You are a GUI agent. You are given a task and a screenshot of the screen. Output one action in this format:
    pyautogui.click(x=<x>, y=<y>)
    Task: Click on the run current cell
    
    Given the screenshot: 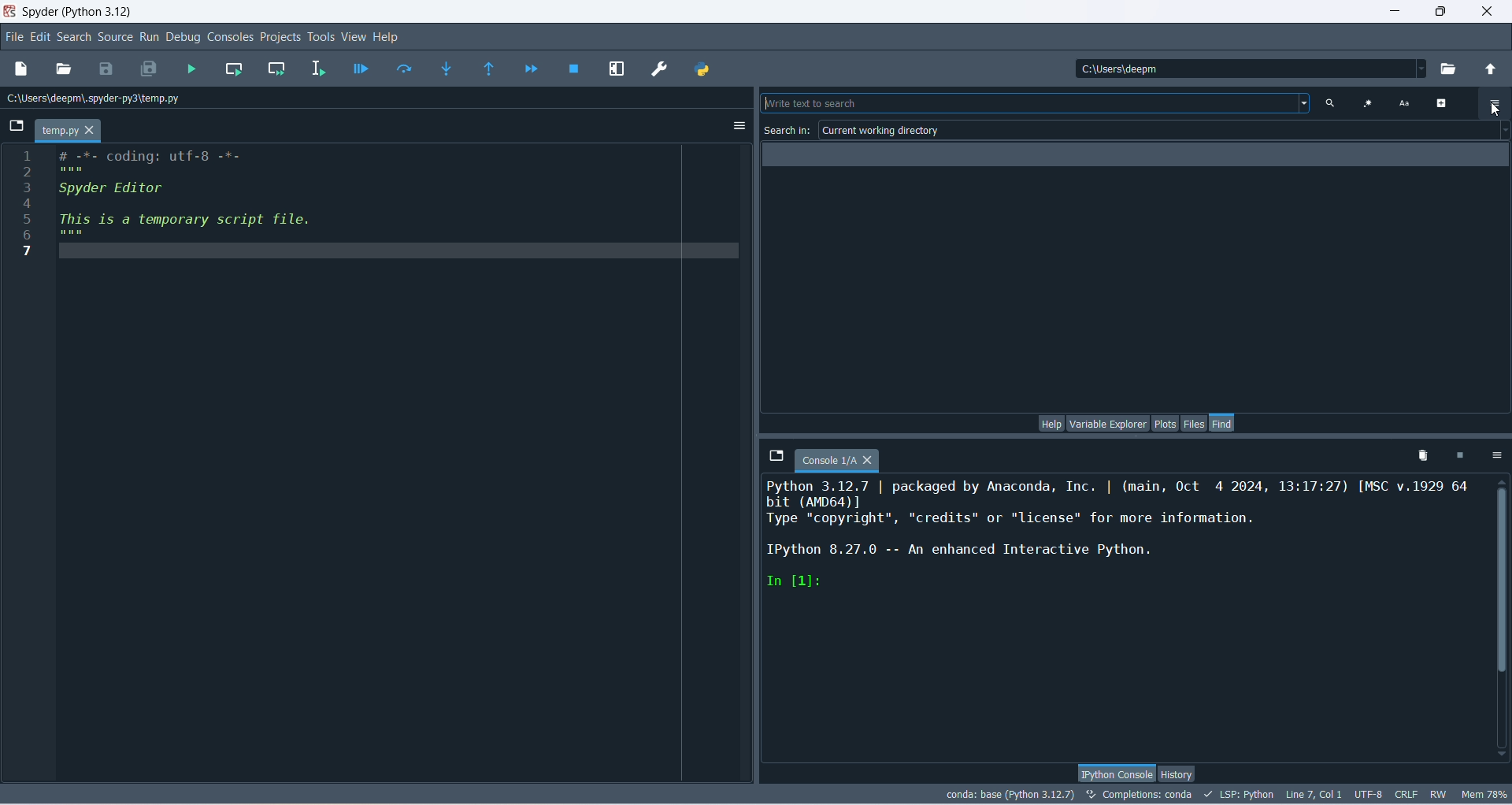 What is the action you would take?
    pyautogui.click(x=234, y=69)
    